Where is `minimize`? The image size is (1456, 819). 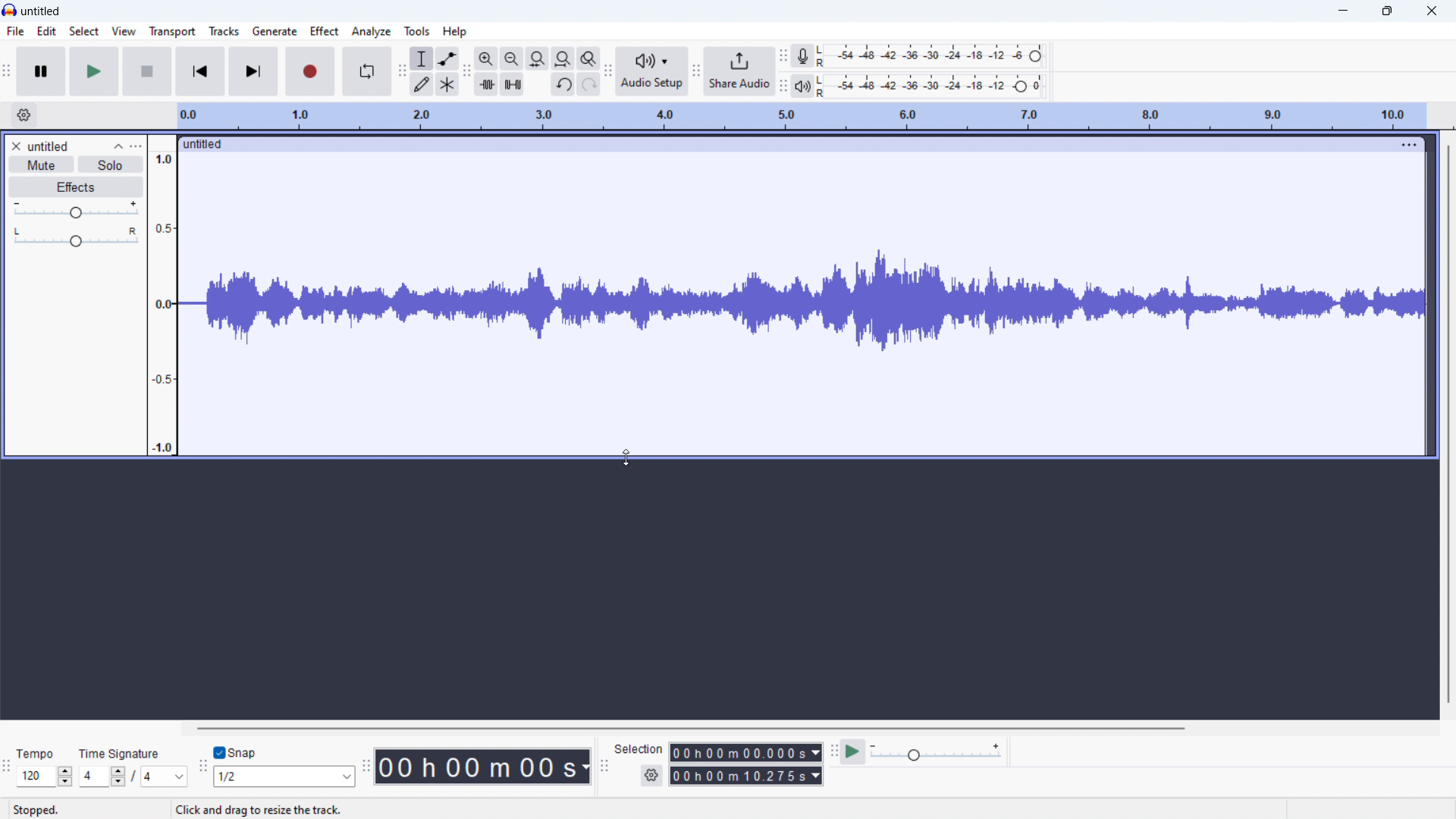
minimize is located at coordinates (1340, 11).